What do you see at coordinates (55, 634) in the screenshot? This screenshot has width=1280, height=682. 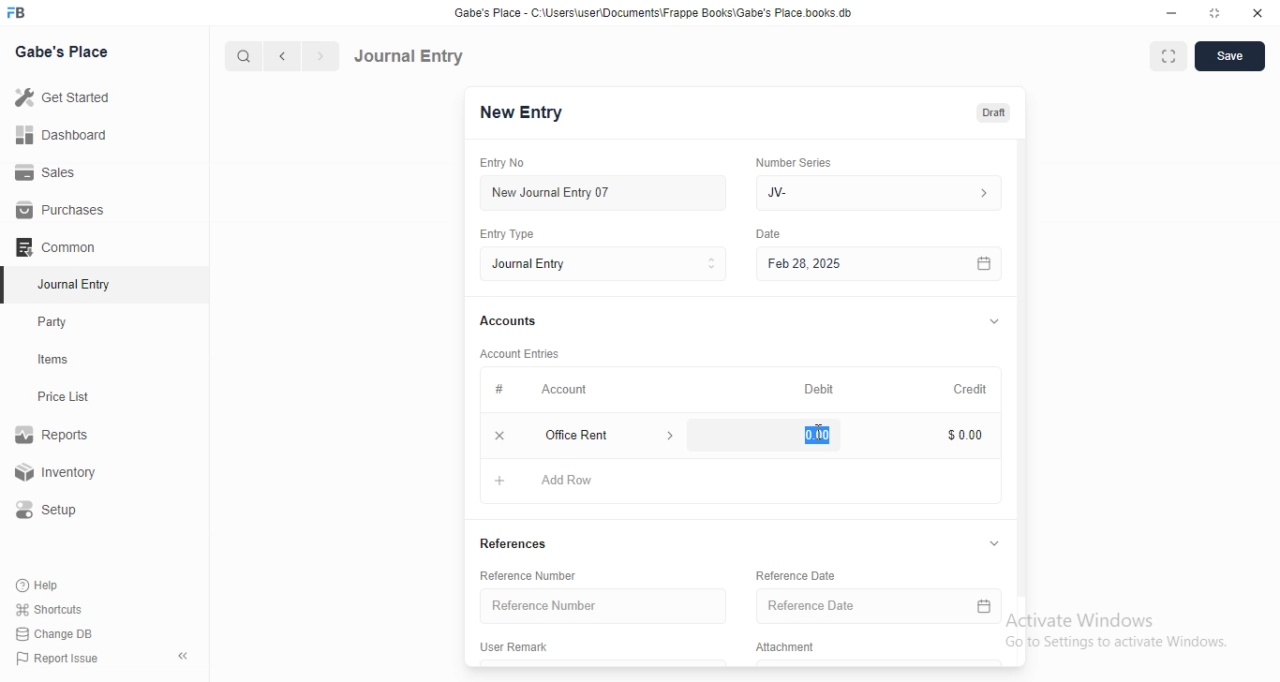 I see `‘Change DB` at bounding box center [55, 634].